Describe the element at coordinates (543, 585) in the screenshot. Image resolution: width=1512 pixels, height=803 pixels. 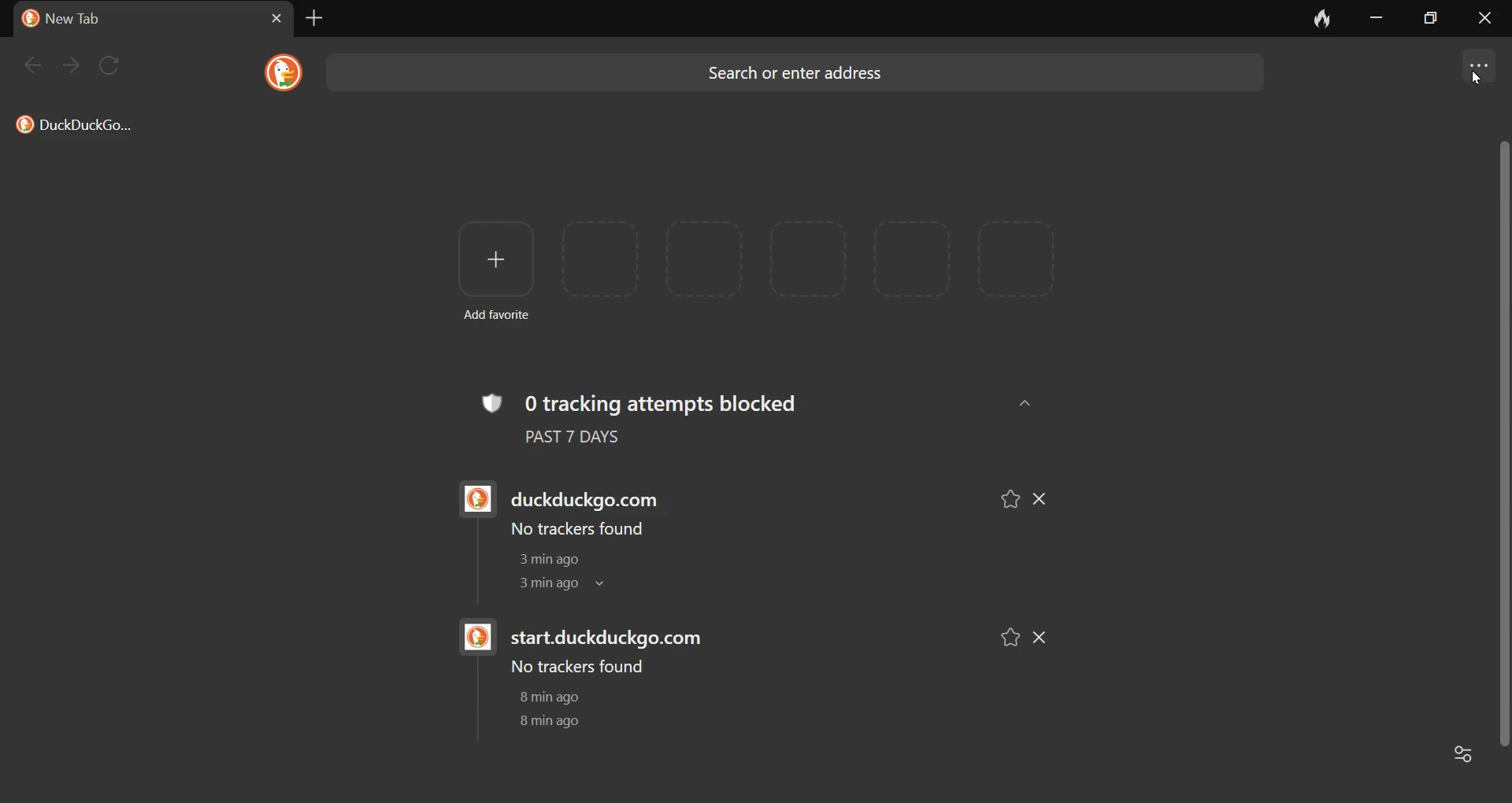
I see `3 min ago` at that location.